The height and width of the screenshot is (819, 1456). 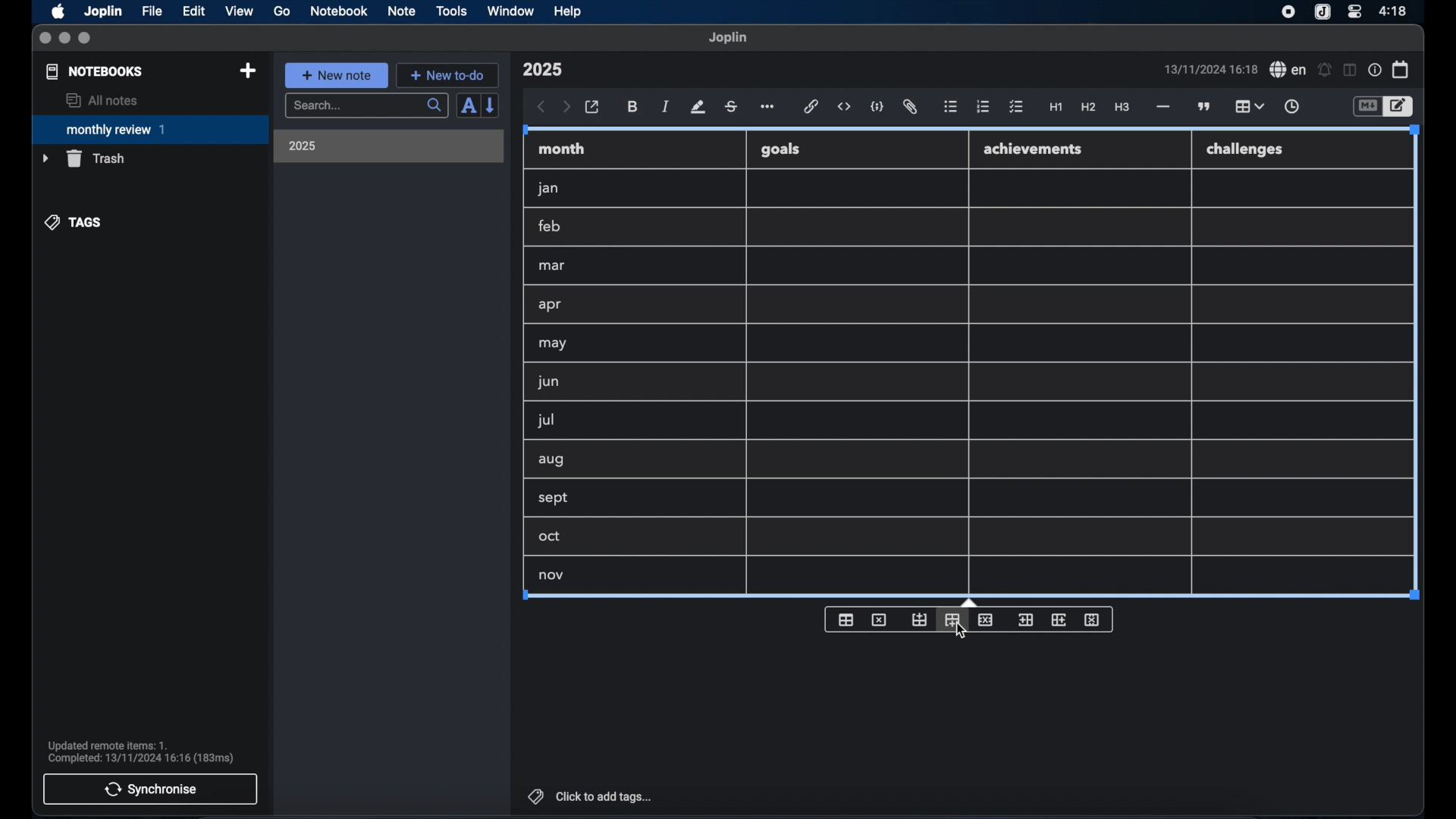 What do you see at coordinates (1016, 108) in the screenshot?
I see `check  list` at bounding box center [1016, 108].